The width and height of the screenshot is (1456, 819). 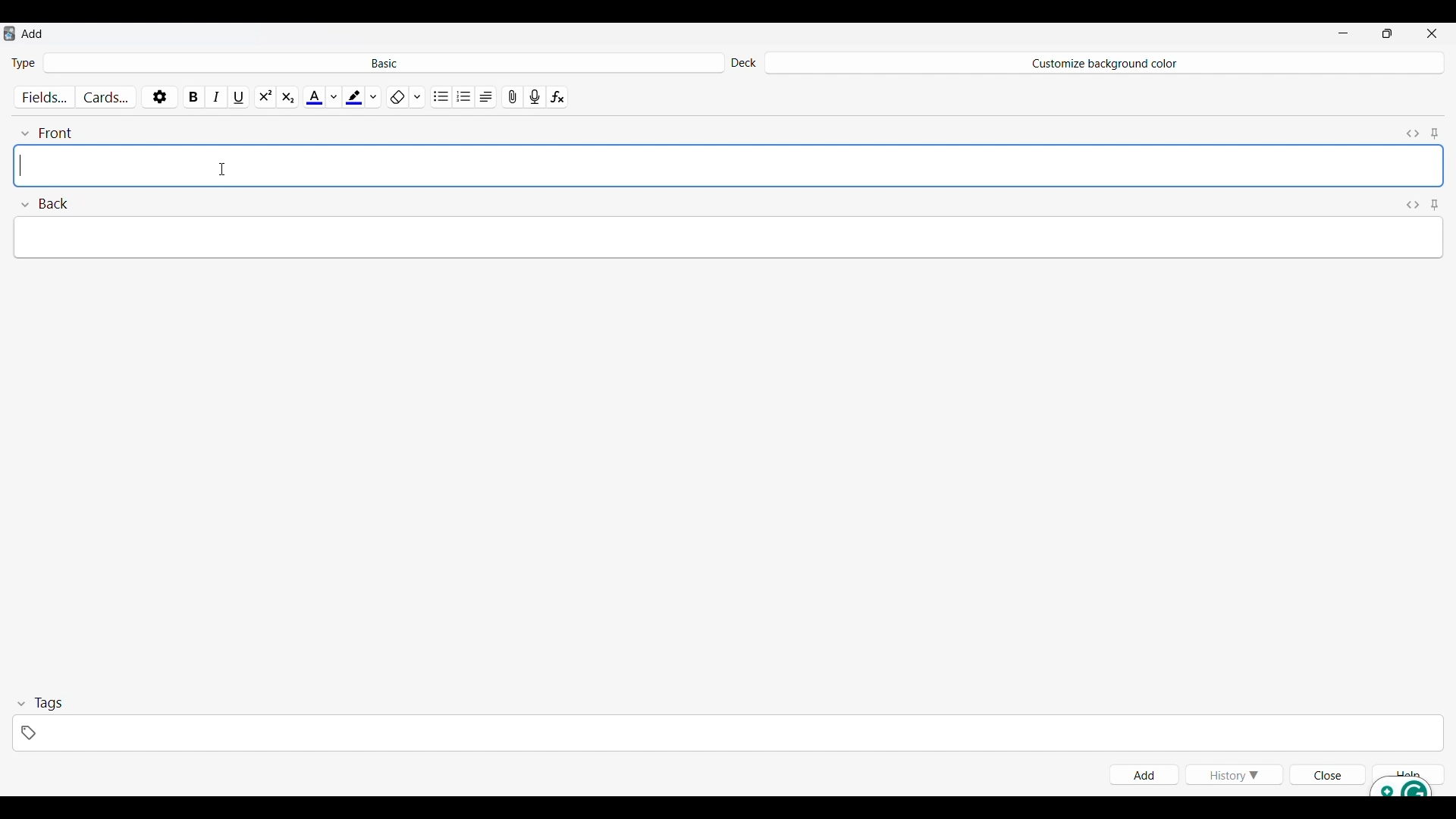 I want to click on Click to select card type in deck, so click(x=384, y=61).